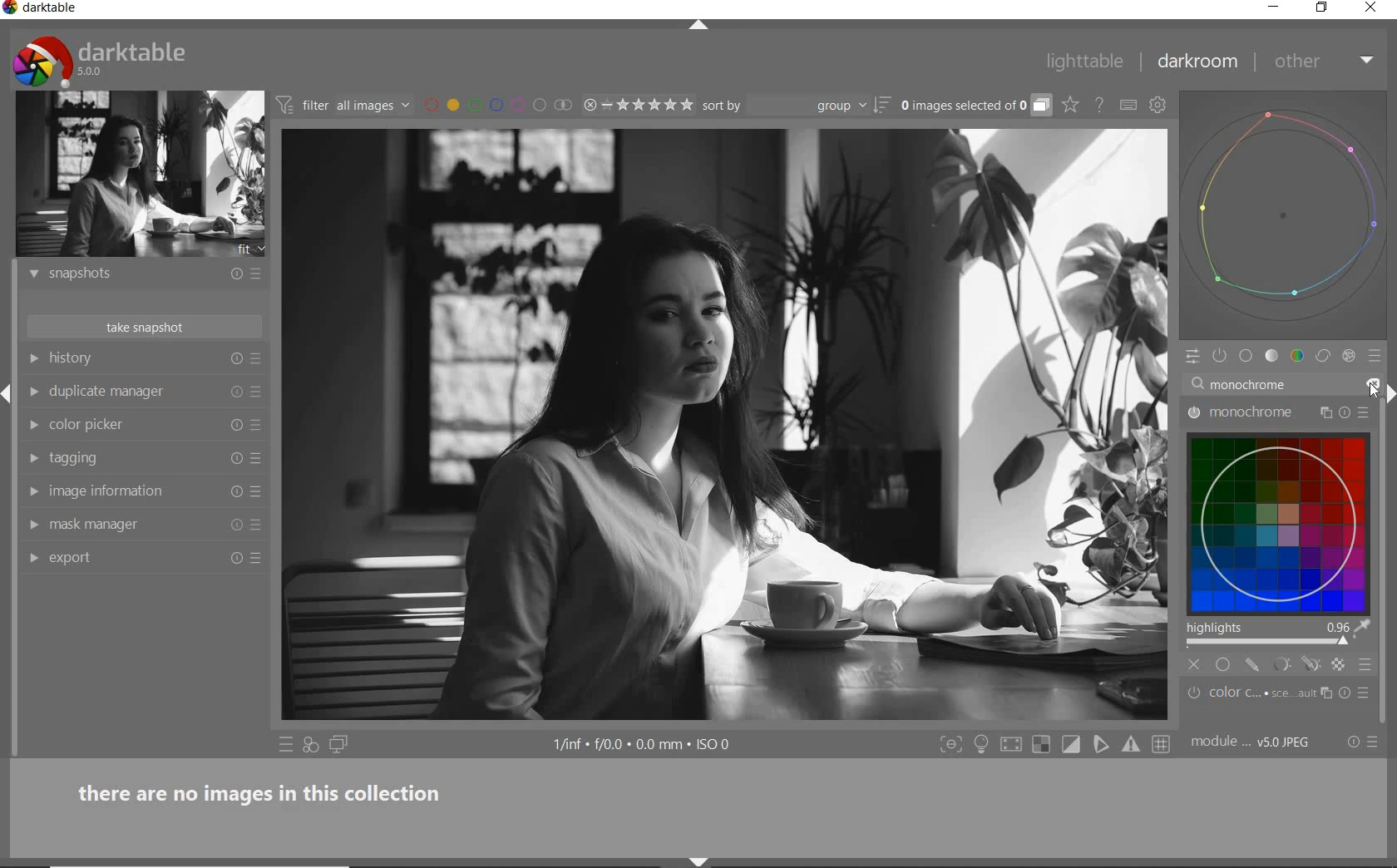 This screenshot has width=1397, height=868. Describe the element at coordinates (286, 744) in the screenshot. I see `quick access to preset` at that location.